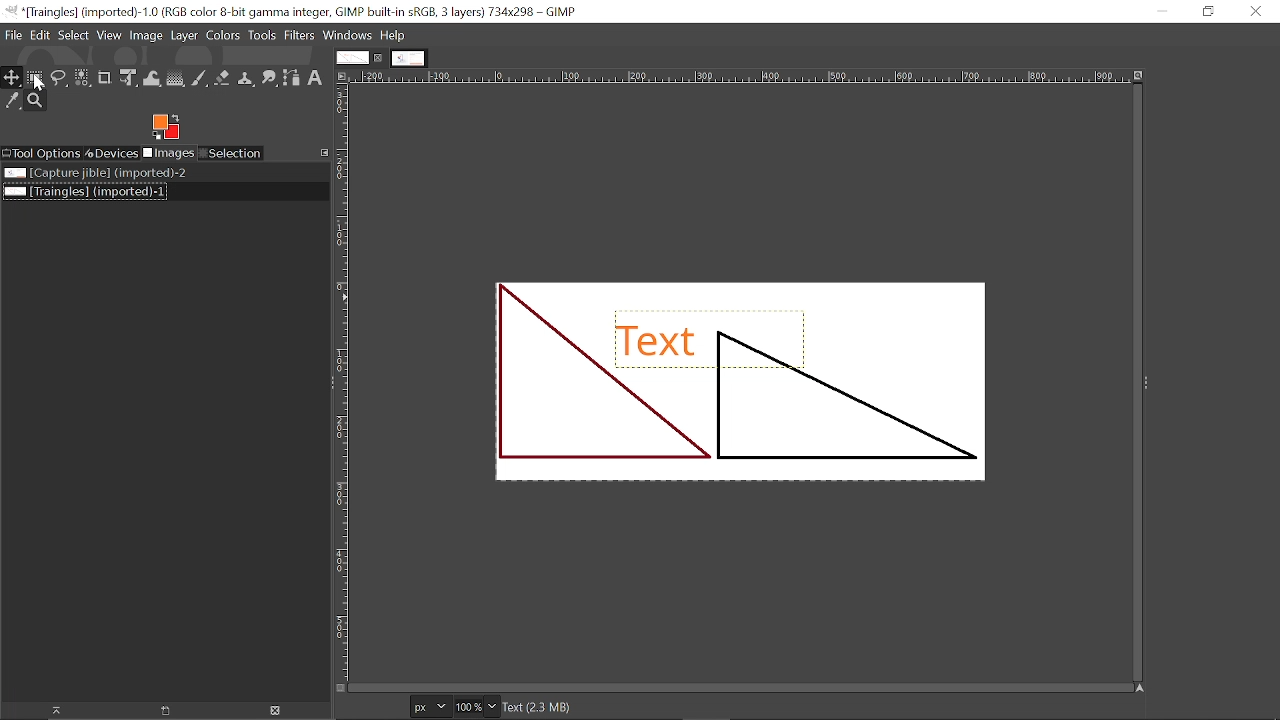 The image size is (1280, 720). I want to click on Current Image, so click(713, 383).